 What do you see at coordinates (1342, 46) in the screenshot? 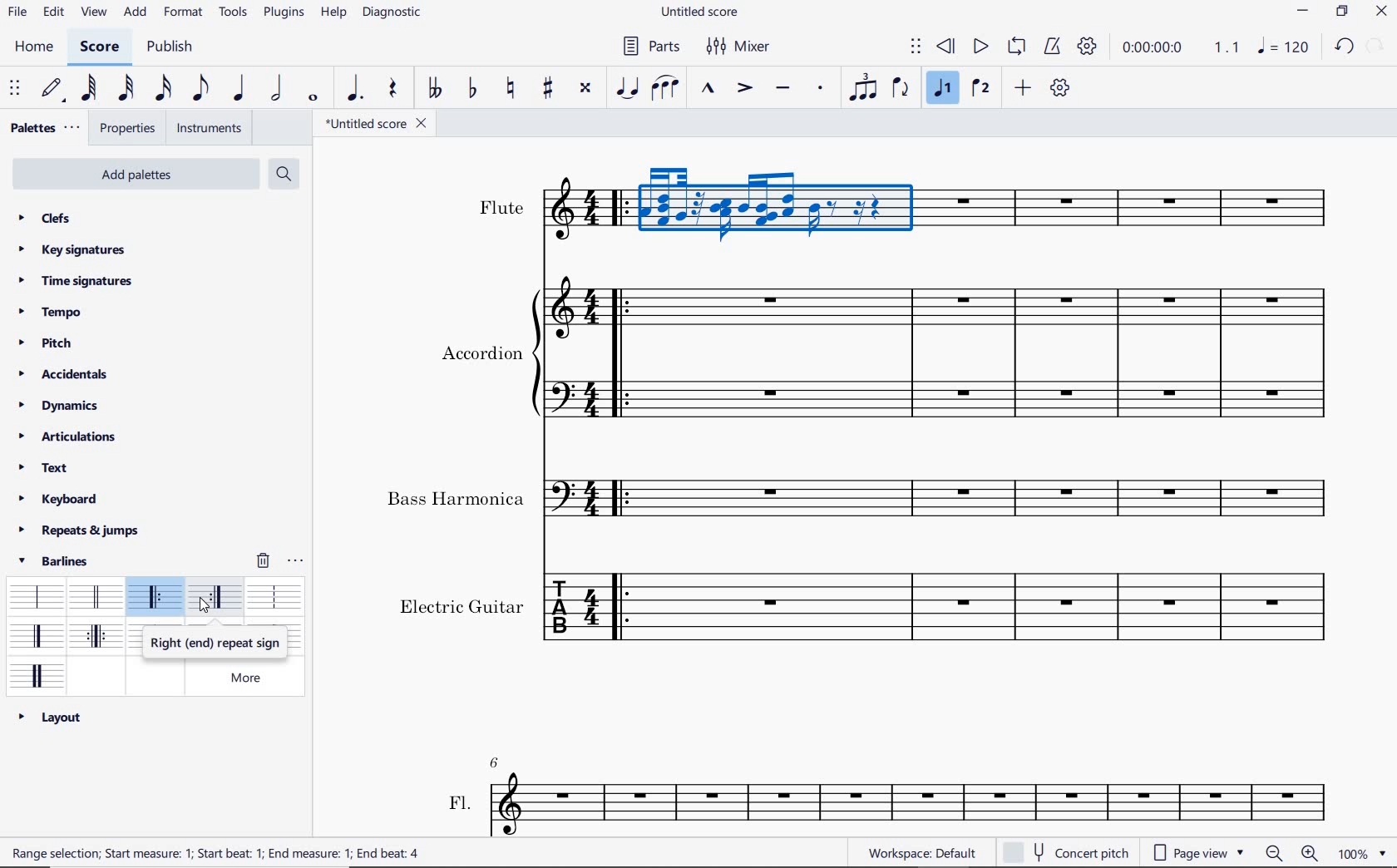
I see `UNDO` at bounding box center [1342, 46].